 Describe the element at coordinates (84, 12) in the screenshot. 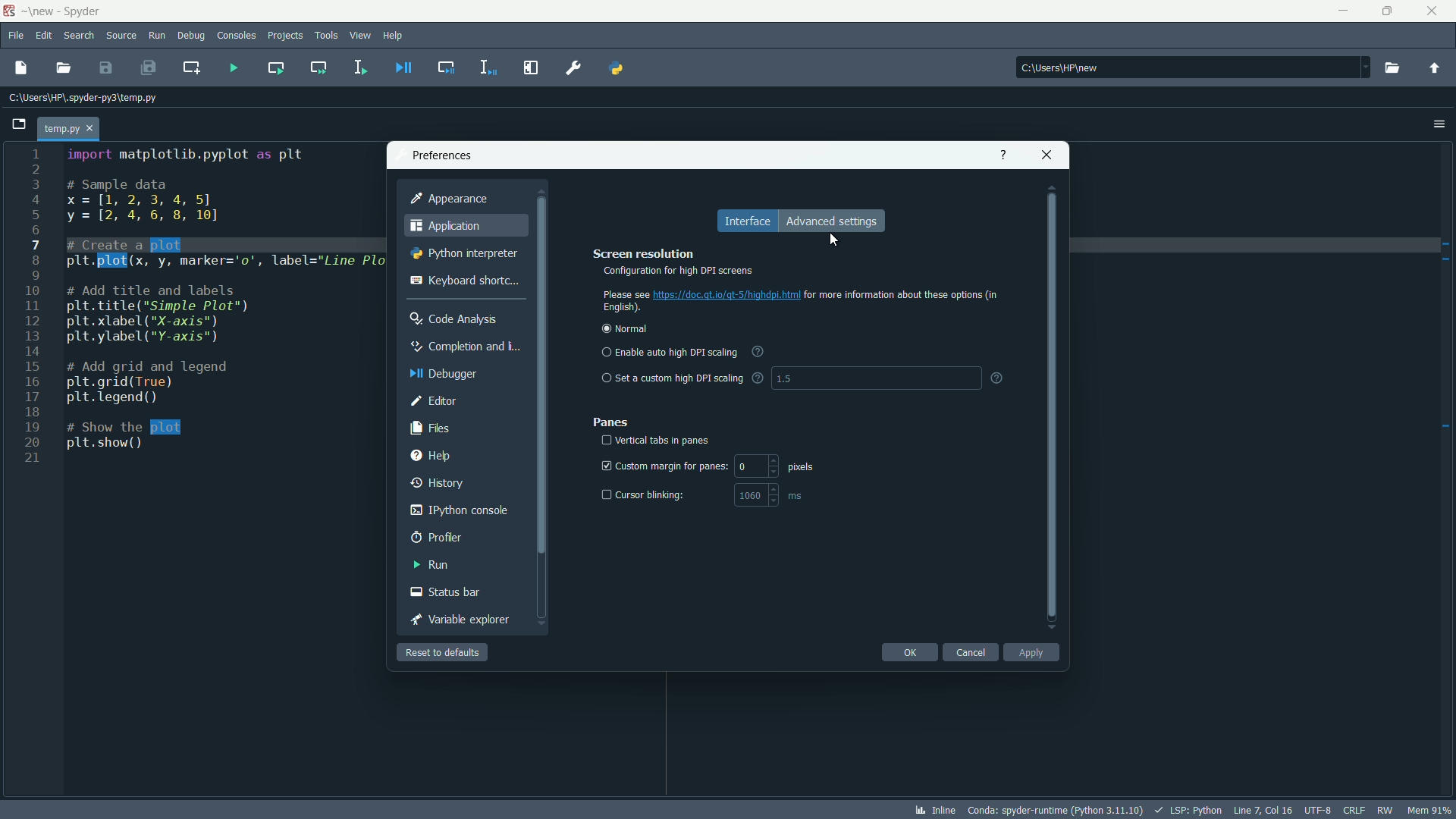

I see `app name` at that location.